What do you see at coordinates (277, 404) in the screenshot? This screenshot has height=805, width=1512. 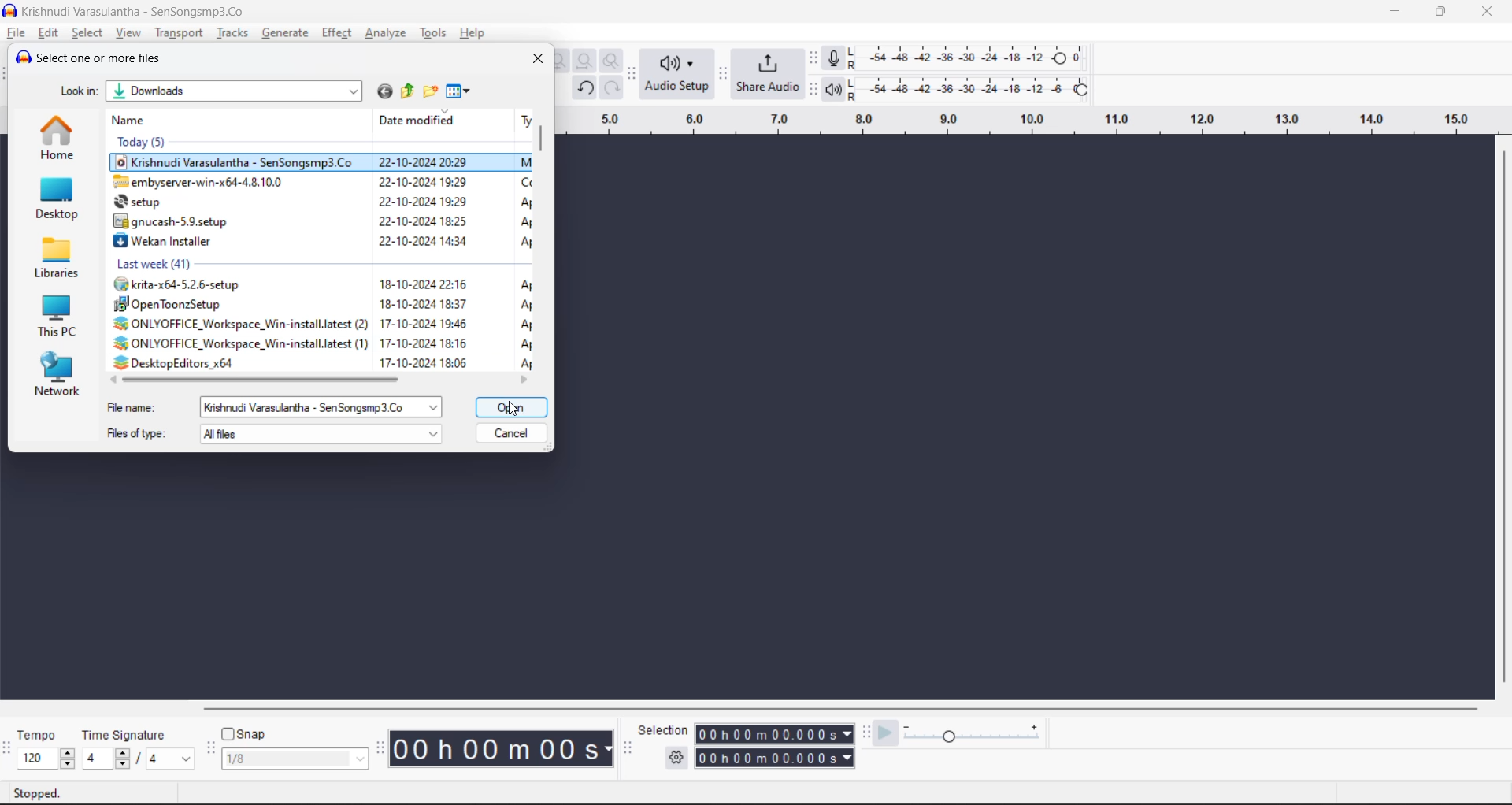 I see `file name` at bounding box center [277, 404].